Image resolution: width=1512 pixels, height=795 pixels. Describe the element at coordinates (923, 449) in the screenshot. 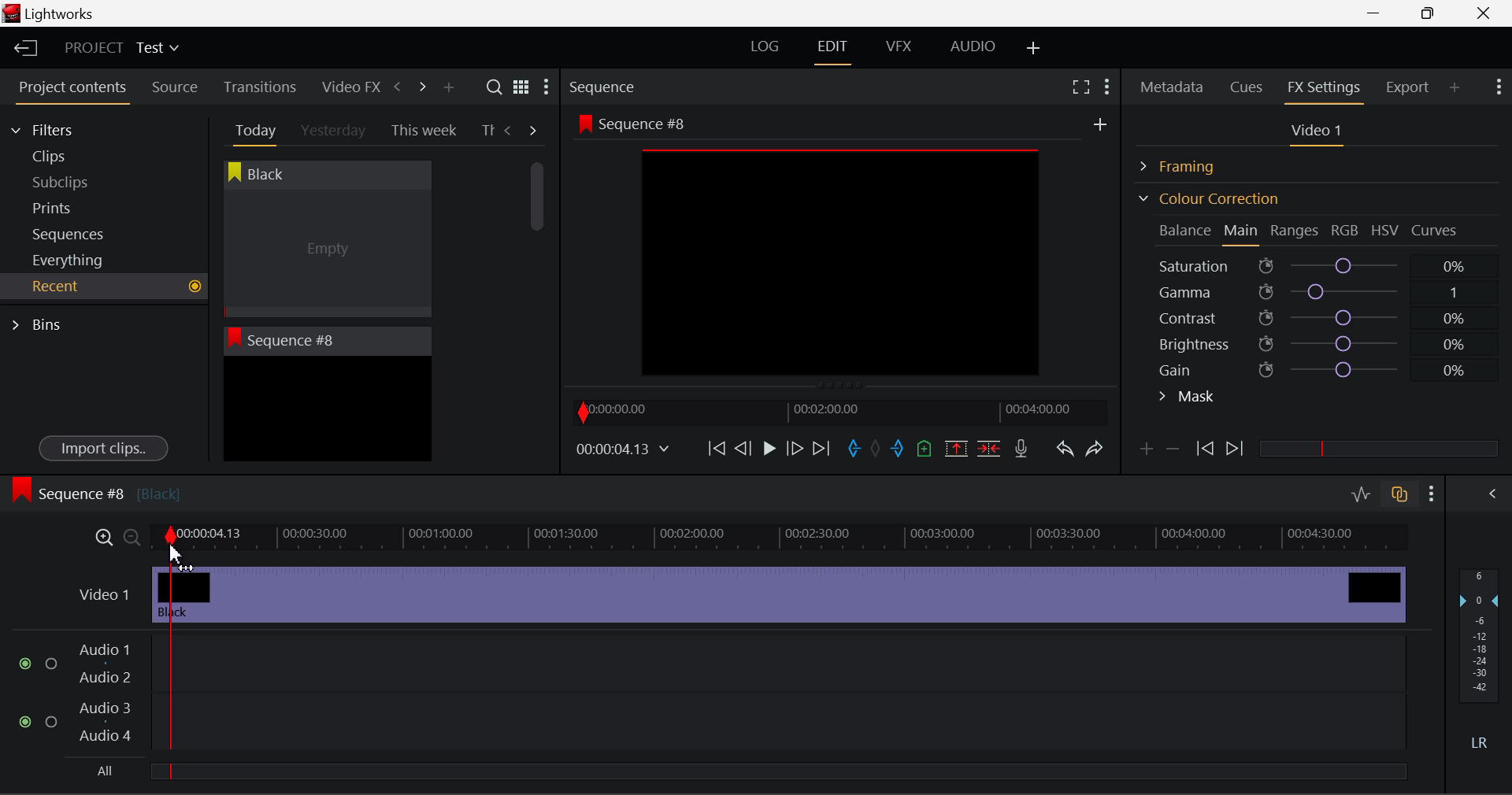

I see `Mark Cue` at that location.